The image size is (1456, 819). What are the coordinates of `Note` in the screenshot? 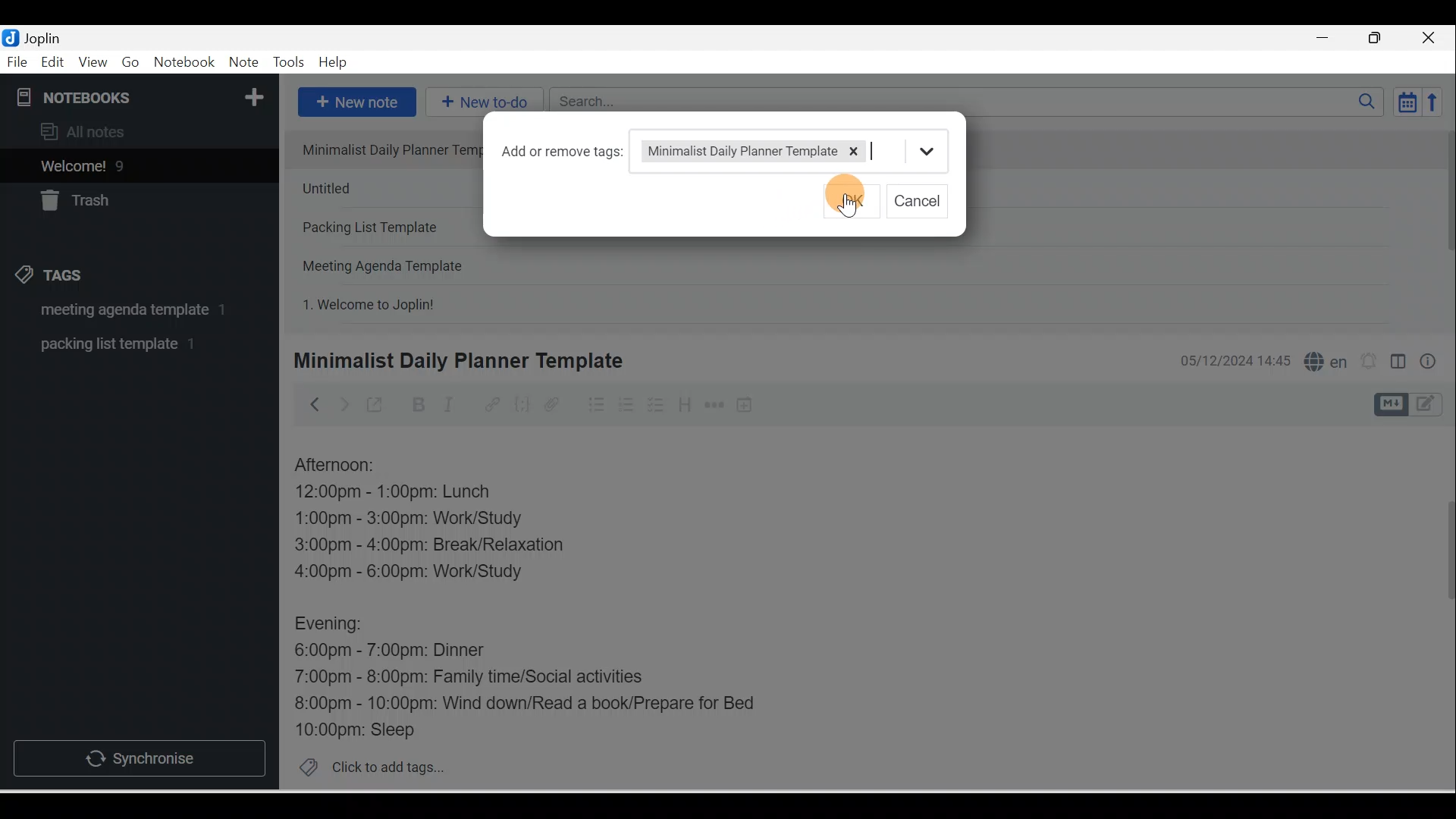 It's located at (242, 63).